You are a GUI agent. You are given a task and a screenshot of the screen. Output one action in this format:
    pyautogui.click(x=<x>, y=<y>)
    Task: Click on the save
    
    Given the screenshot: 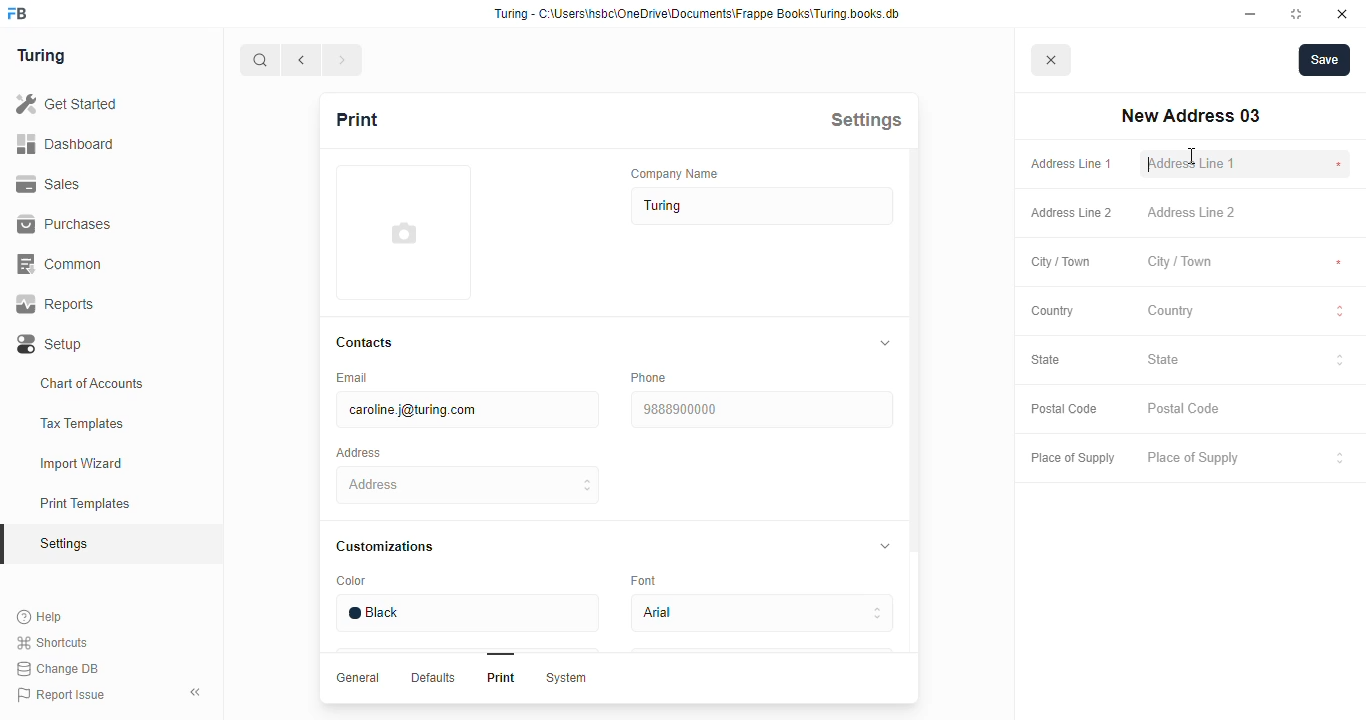 What is the action you would take?
    pyautogui.click(x=1325, y=60)
    